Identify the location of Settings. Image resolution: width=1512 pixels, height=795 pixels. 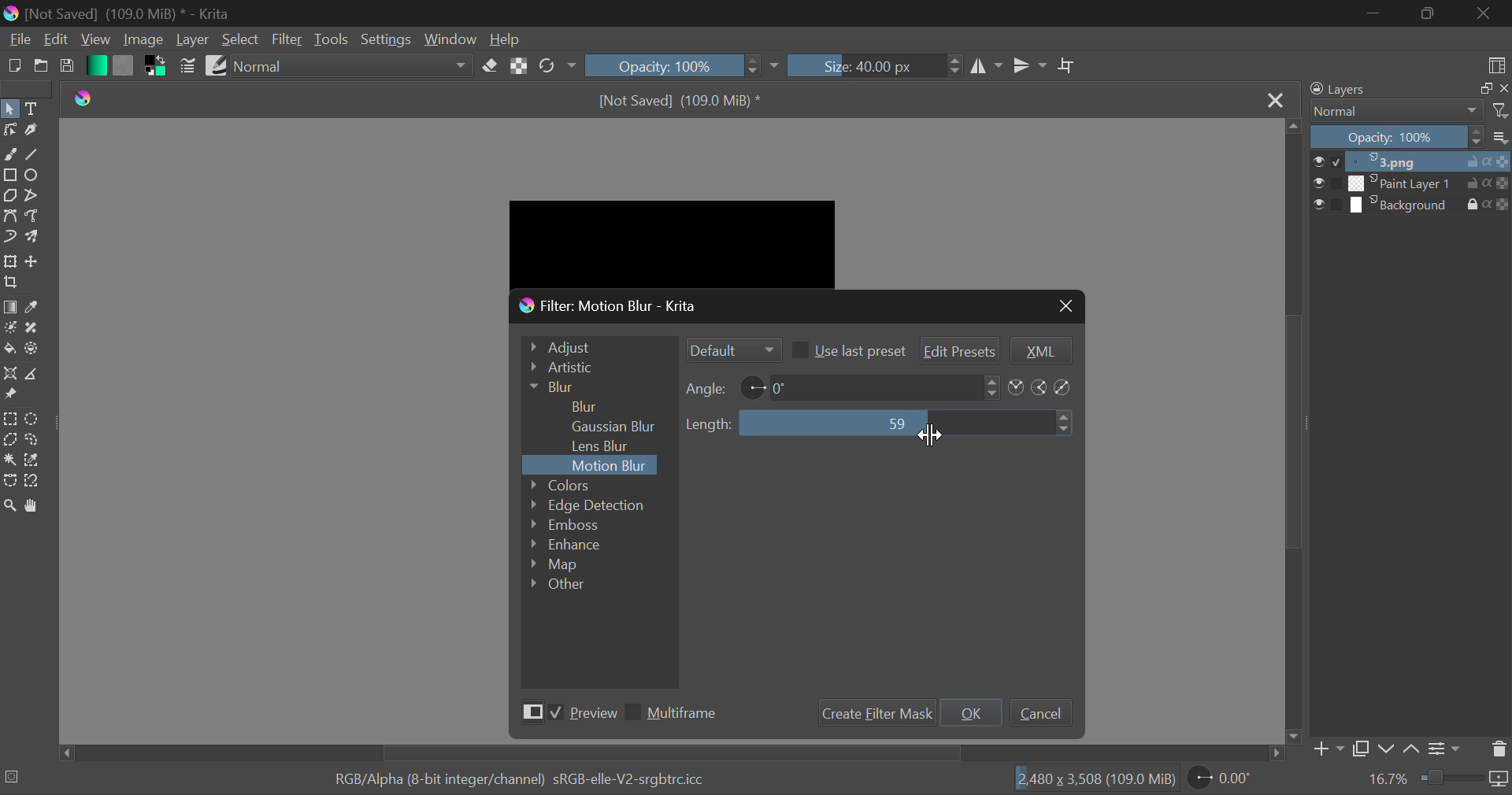
(384, 38).